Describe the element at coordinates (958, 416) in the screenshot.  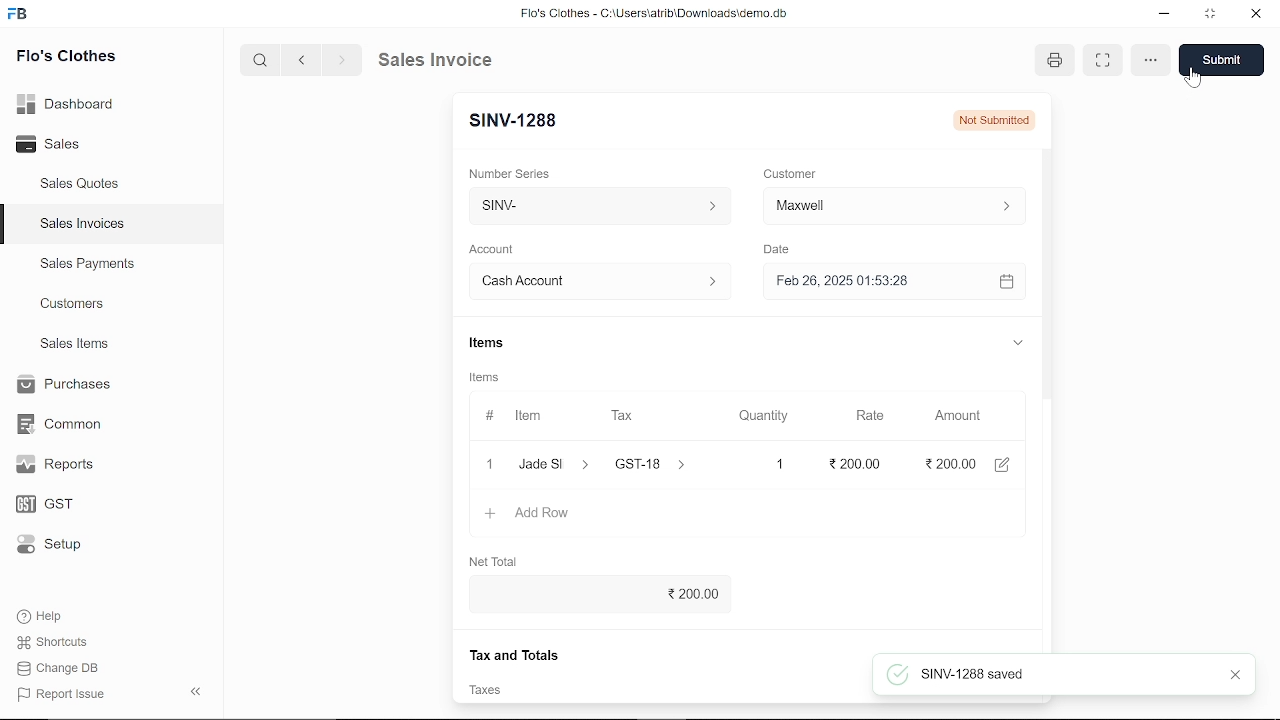
I see `Amount` at that location.